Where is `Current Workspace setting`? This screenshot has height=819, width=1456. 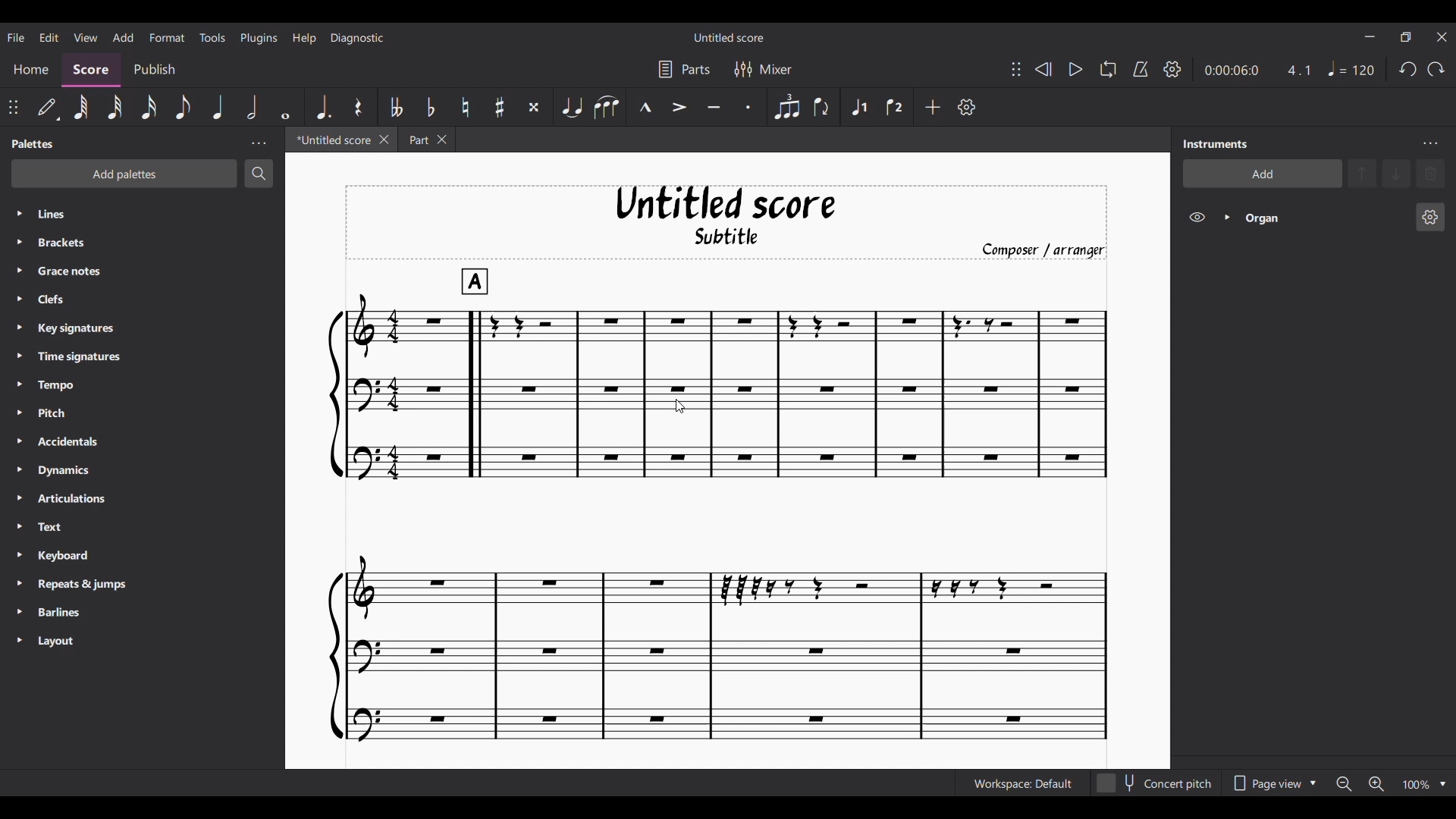 Current Workspace setting is located at coordinates (1022, 783).